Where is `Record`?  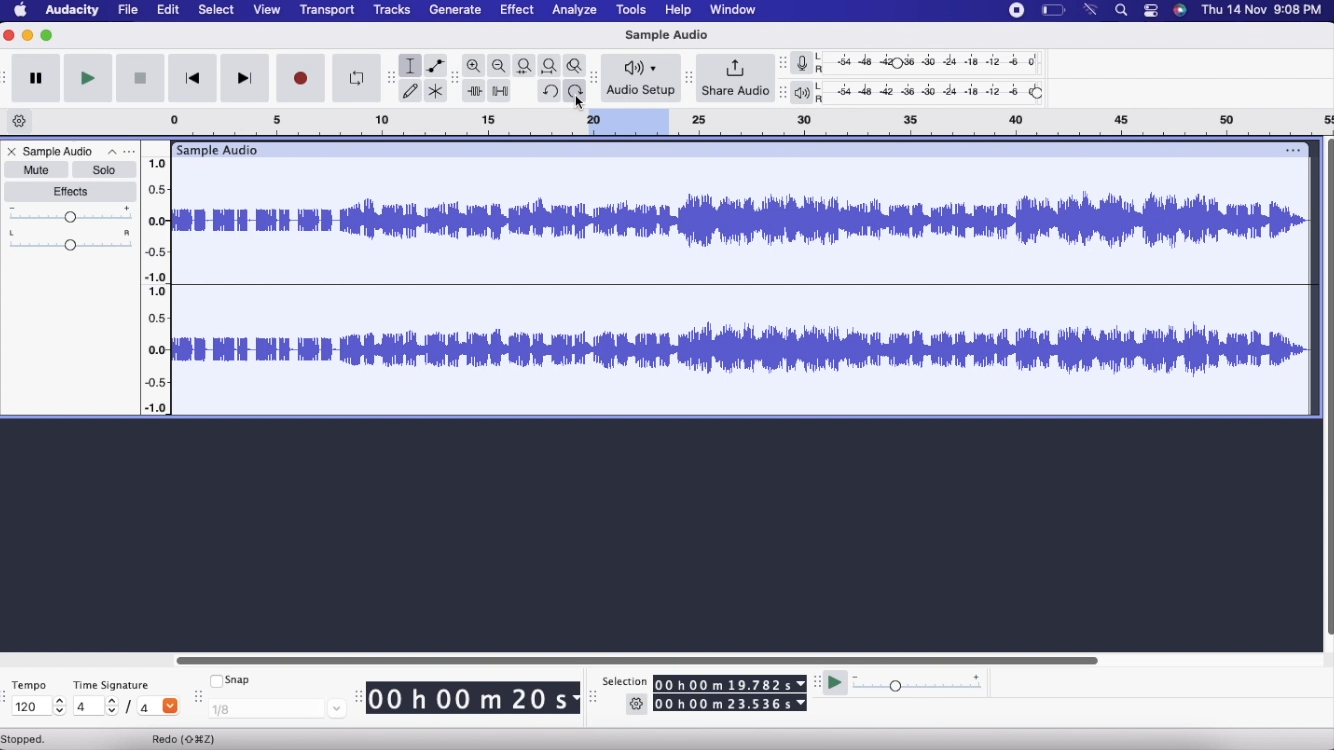
Record is located at coordinates (299, 78).